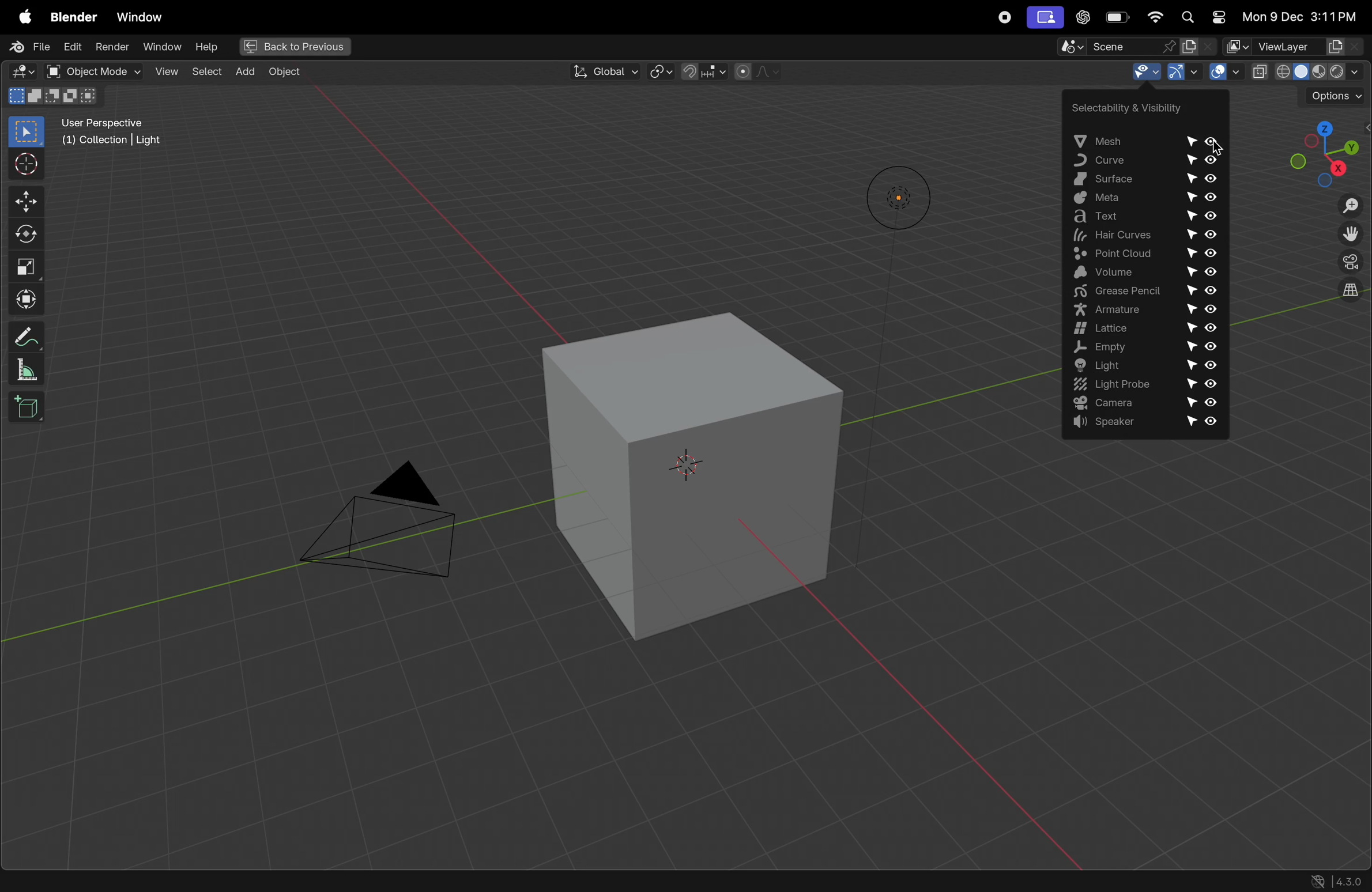 The height and width of the screenshot is (892, 1372). I want to click on back to previous, so click(295, 47).